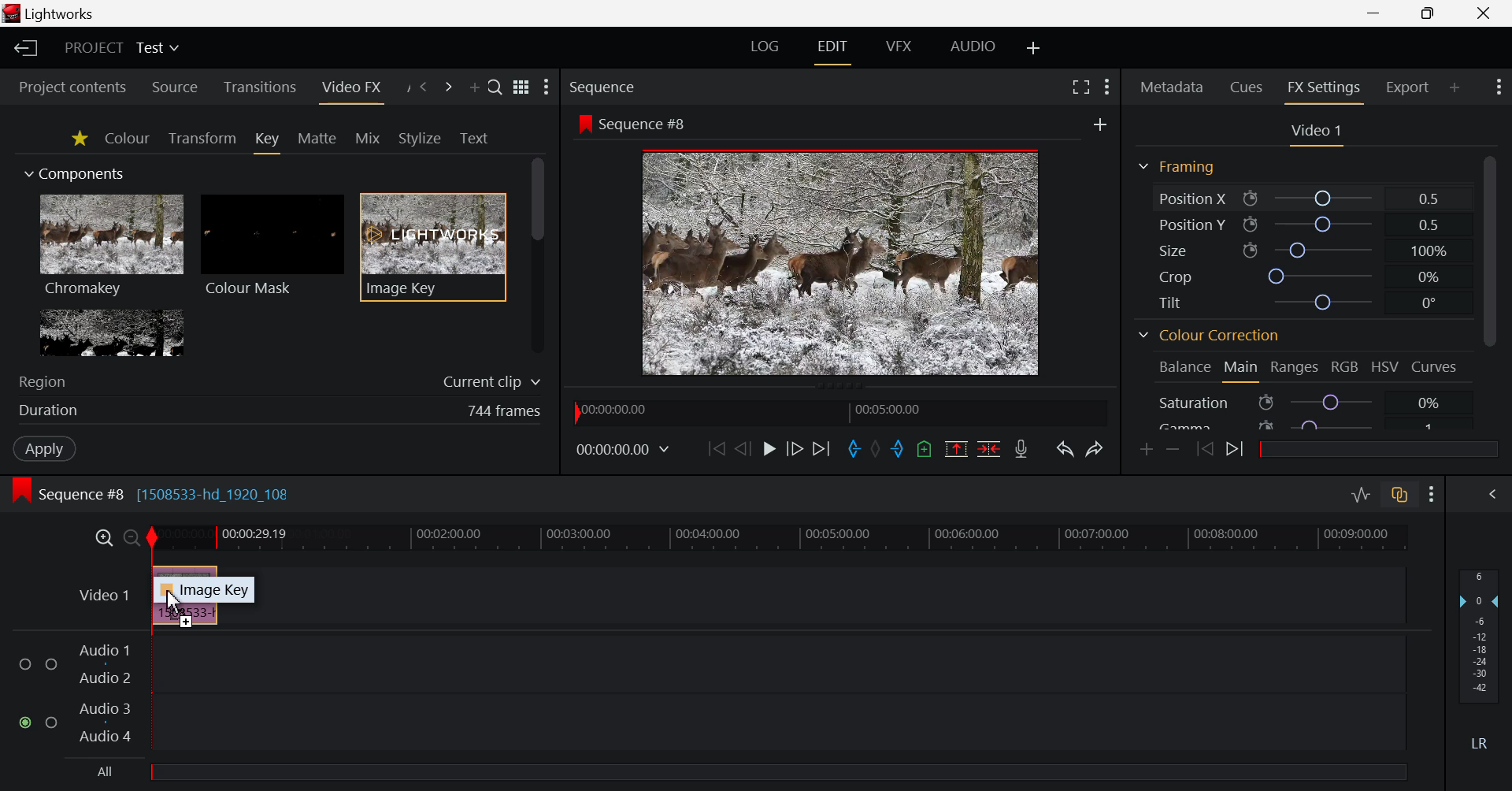 The image size is (1512, 791). What do you see at coordinates (714, 445) in the screenshot?
I see `To Start` at bounding box center [714, 445].